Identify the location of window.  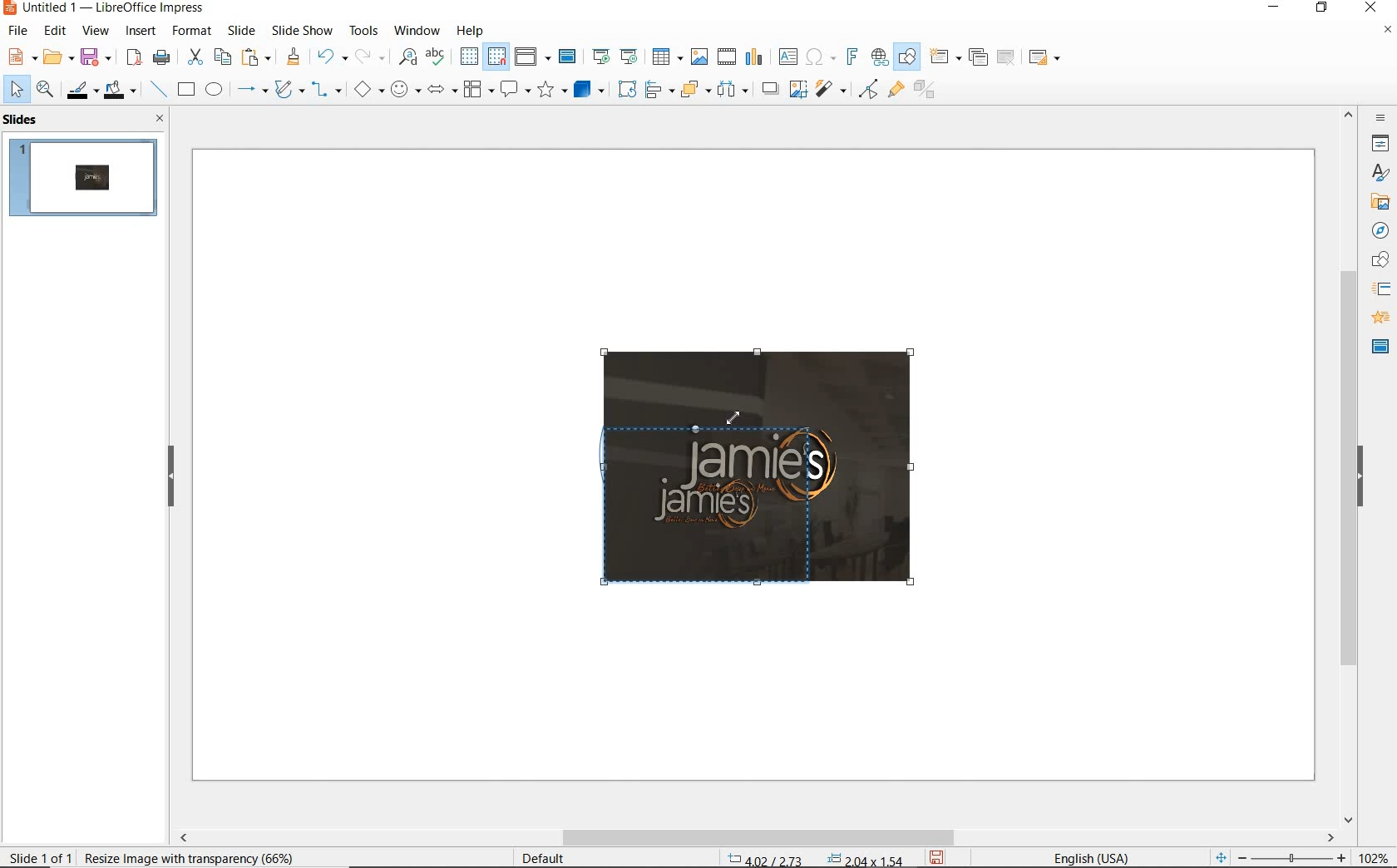
(417, 29).